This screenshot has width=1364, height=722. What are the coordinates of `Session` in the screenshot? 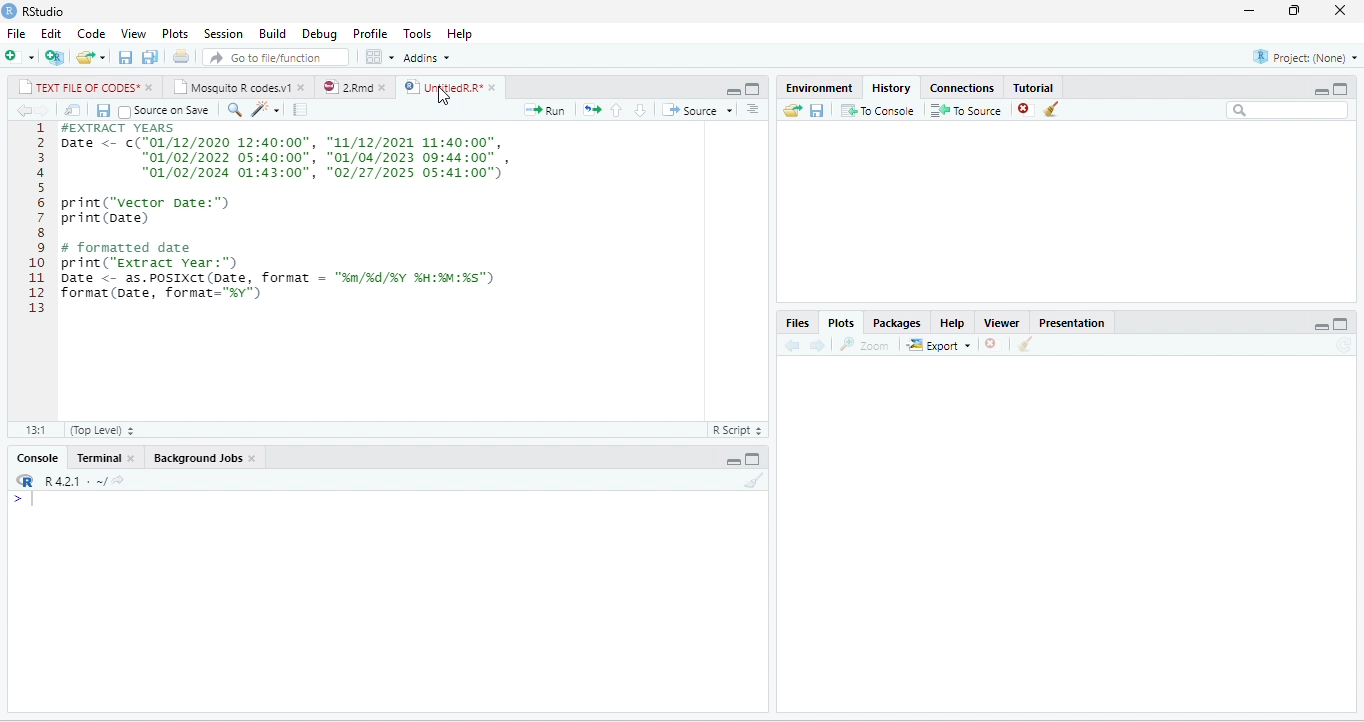 It's located at (224, 33).